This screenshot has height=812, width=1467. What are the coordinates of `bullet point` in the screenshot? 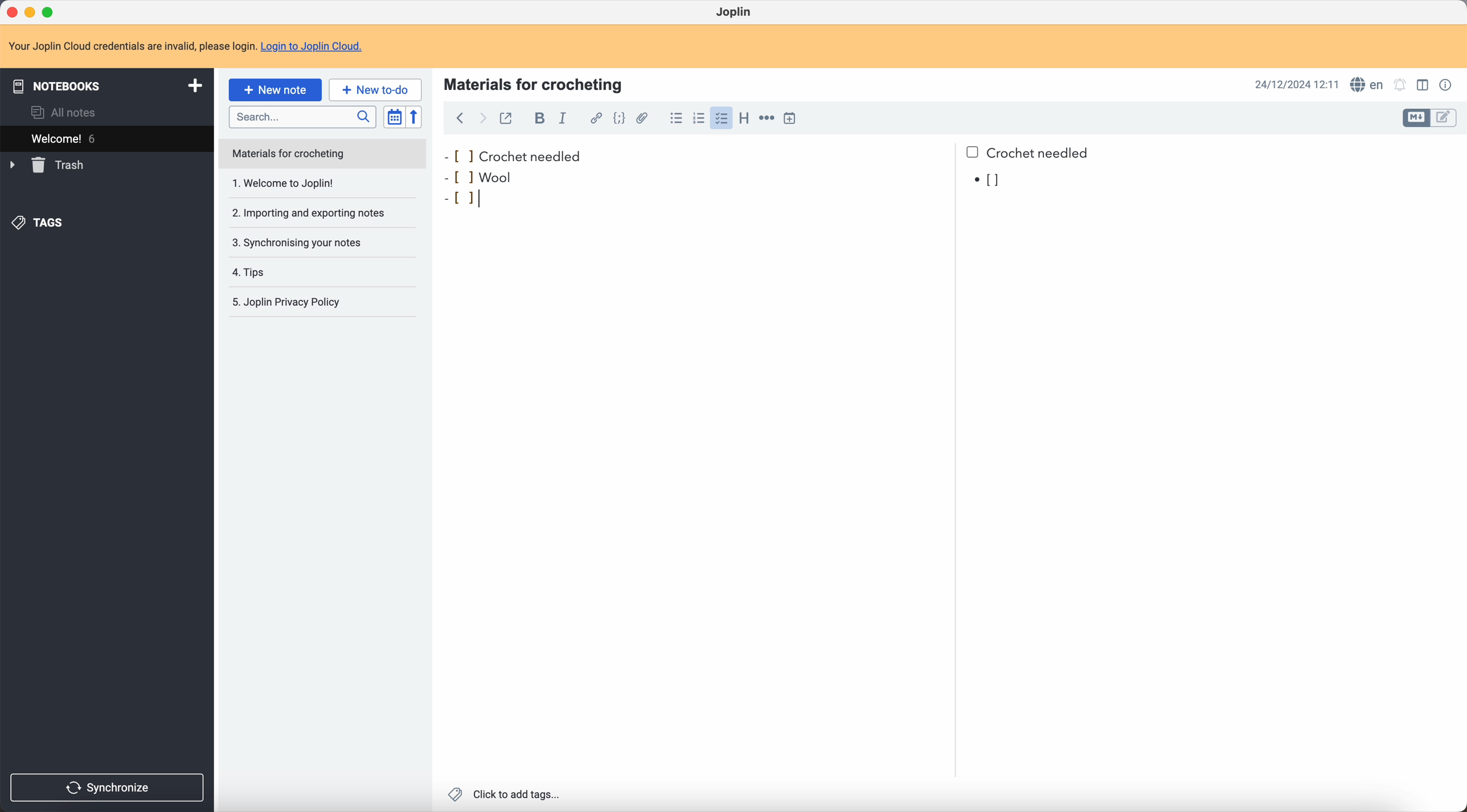 It's located at (989, 181).